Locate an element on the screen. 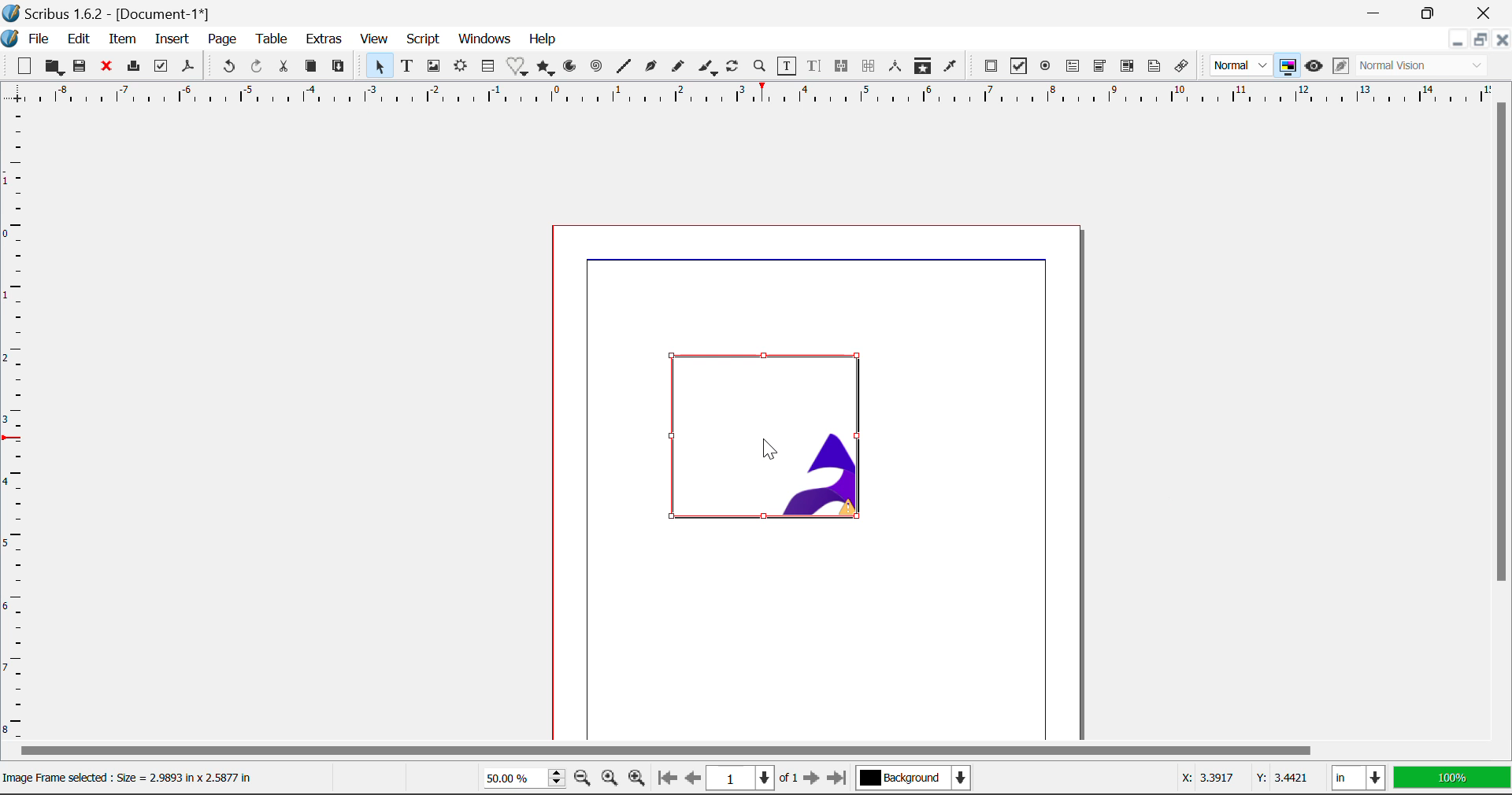  Scribus Logo is located at coordinates (9, 39).